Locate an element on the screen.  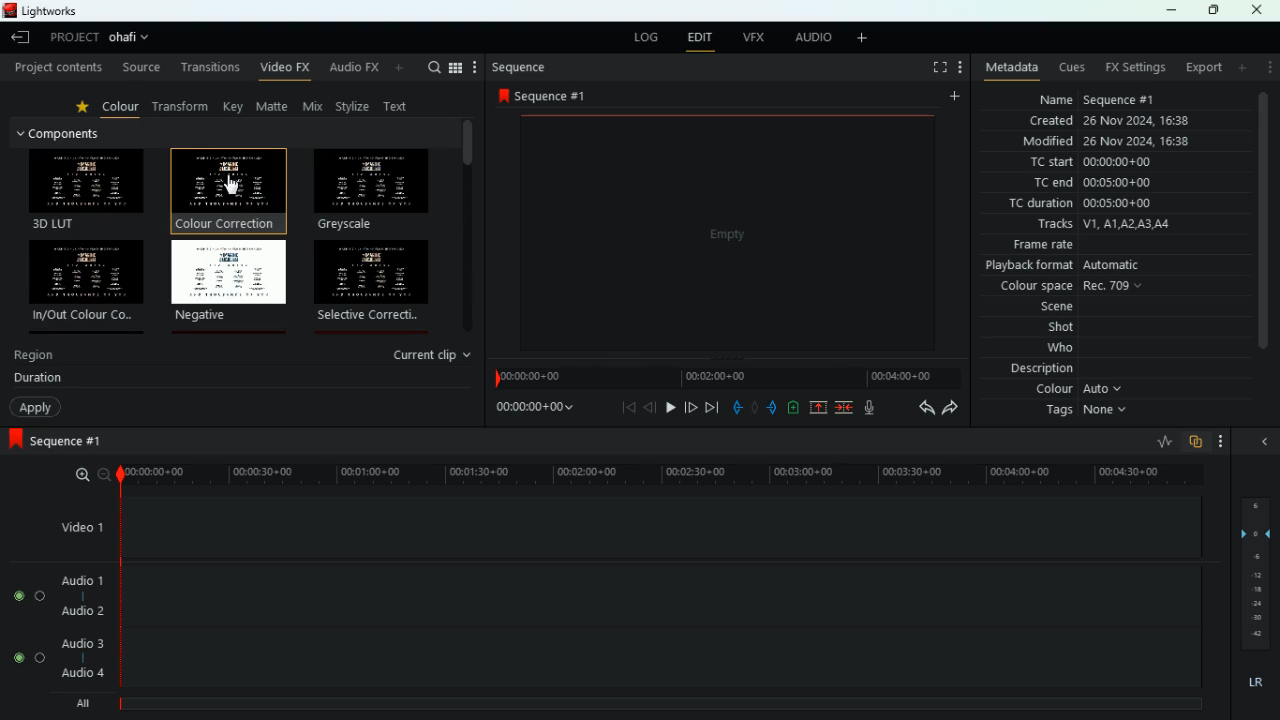
colour correction is located at coordinates (225, 188).